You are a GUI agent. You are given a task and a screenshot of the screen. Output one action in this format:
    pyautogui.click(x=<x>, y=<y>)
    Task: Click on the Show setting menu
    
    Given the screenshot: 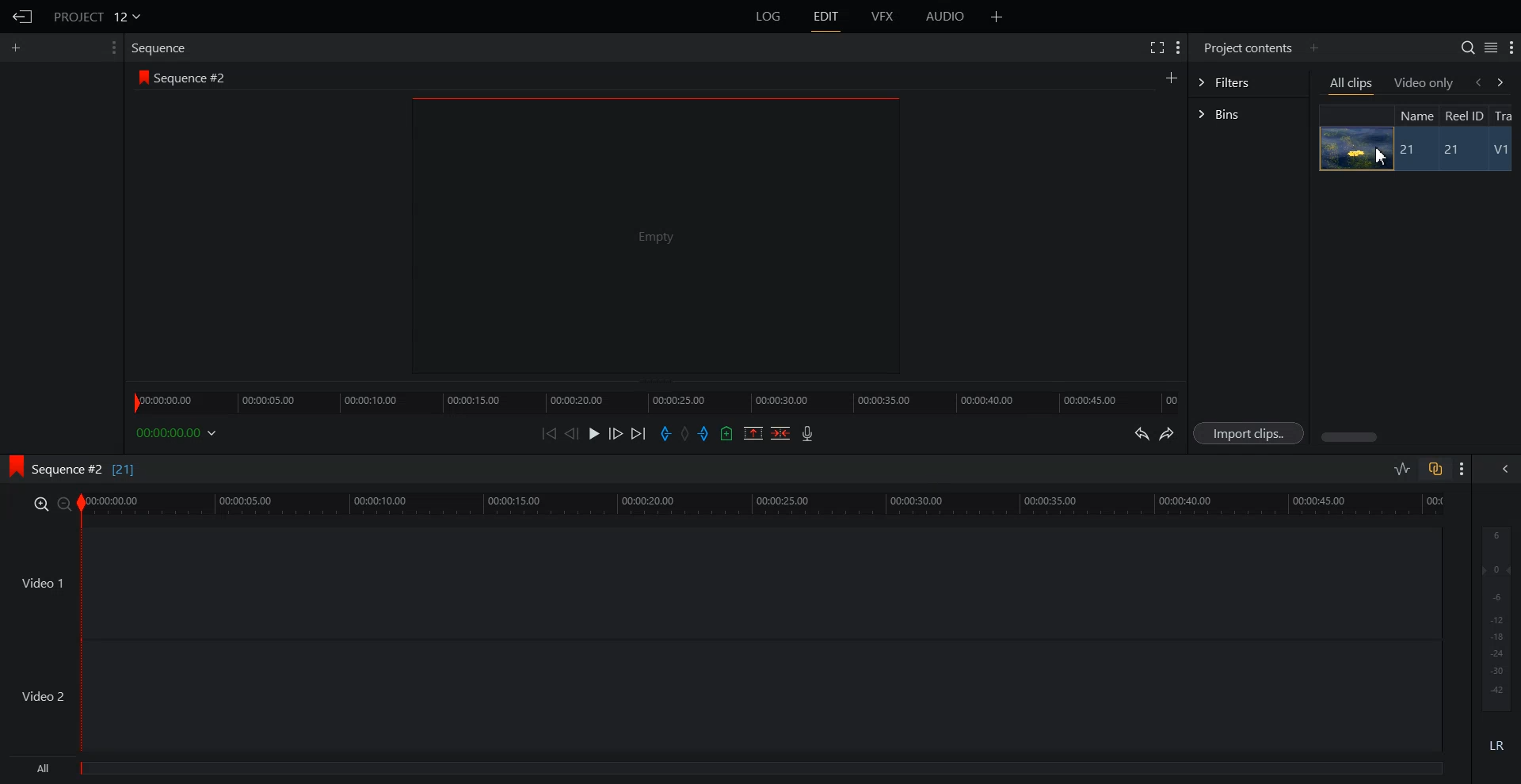 What is the action you would take?
    pyautogui.click(x=112, y=48)
    